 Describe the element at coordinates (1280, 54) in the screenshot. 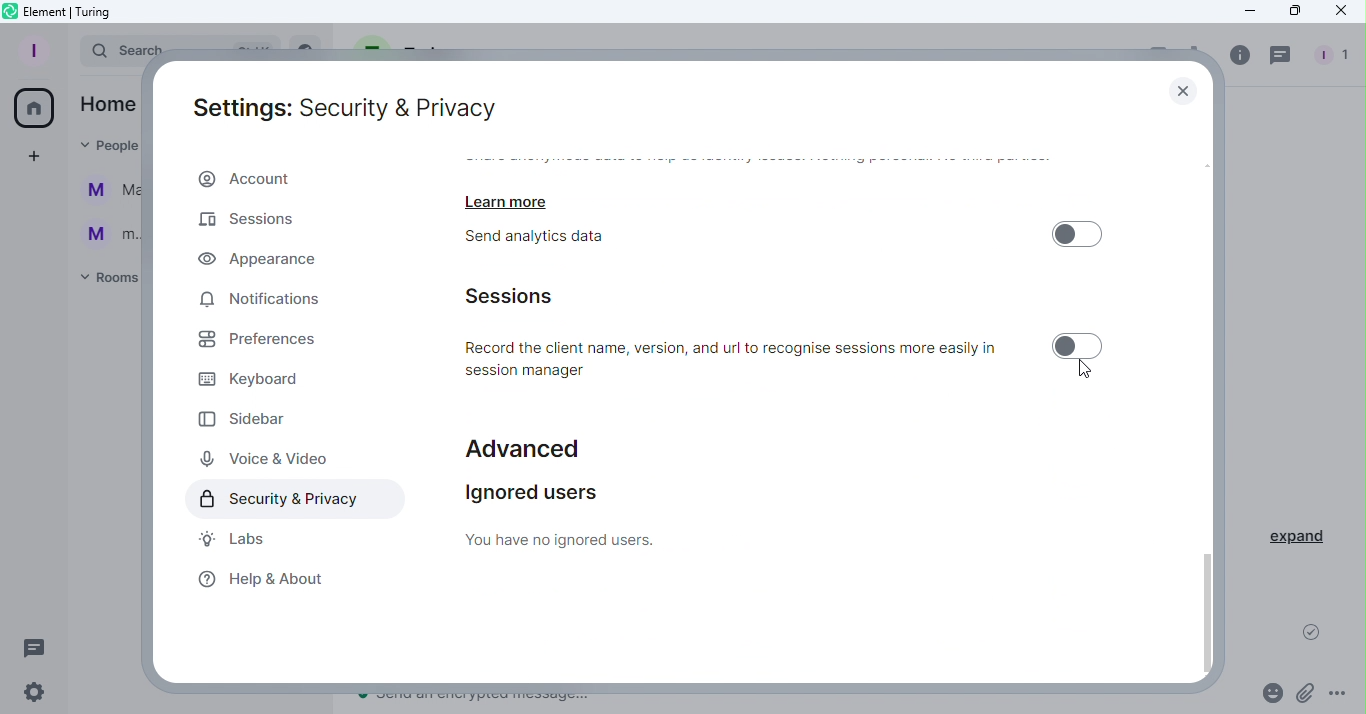

I see `Threads` at that location.